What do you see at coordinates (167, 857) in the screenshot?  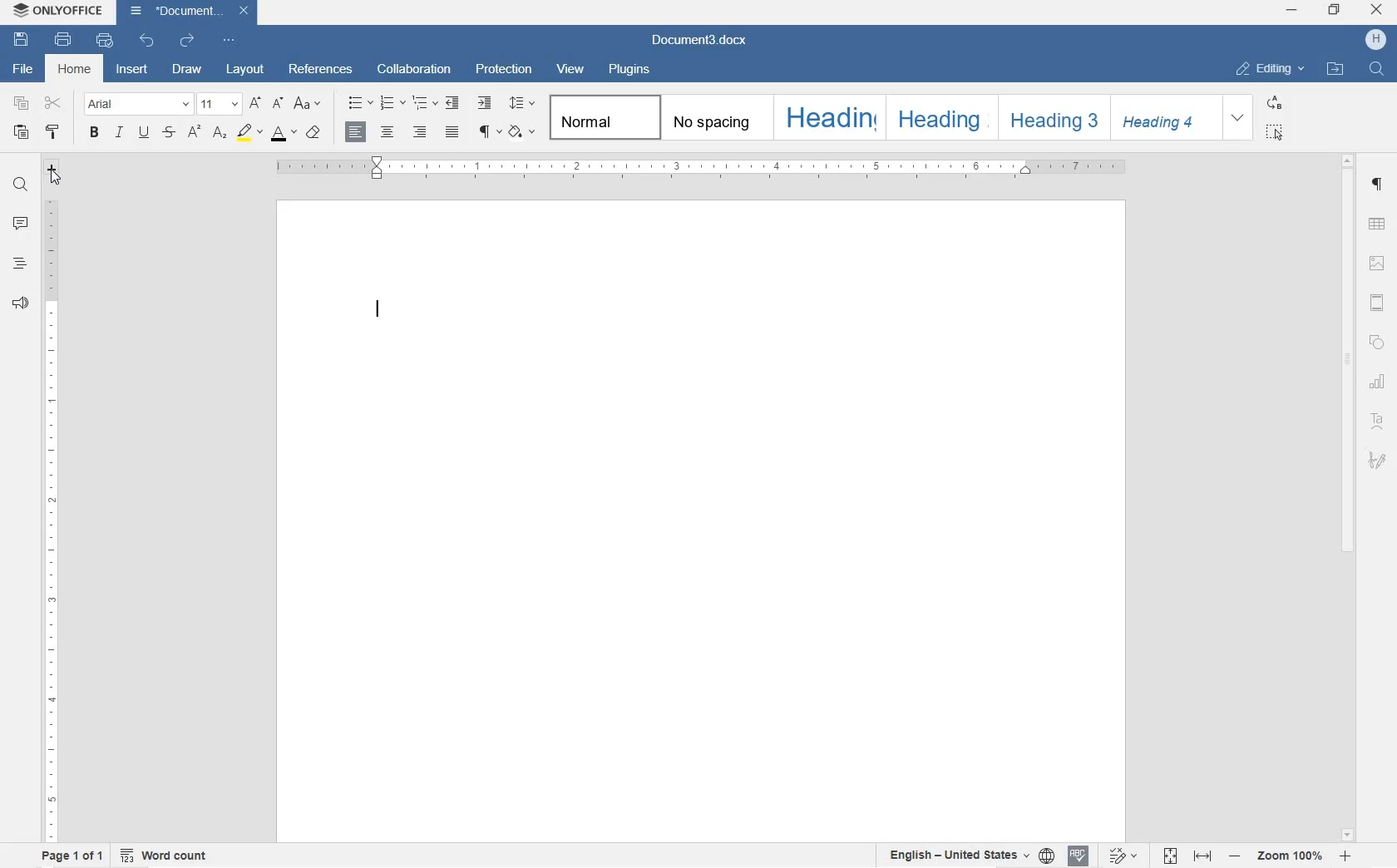 I see `WORD COUNT` at bounding box center [167, 857].